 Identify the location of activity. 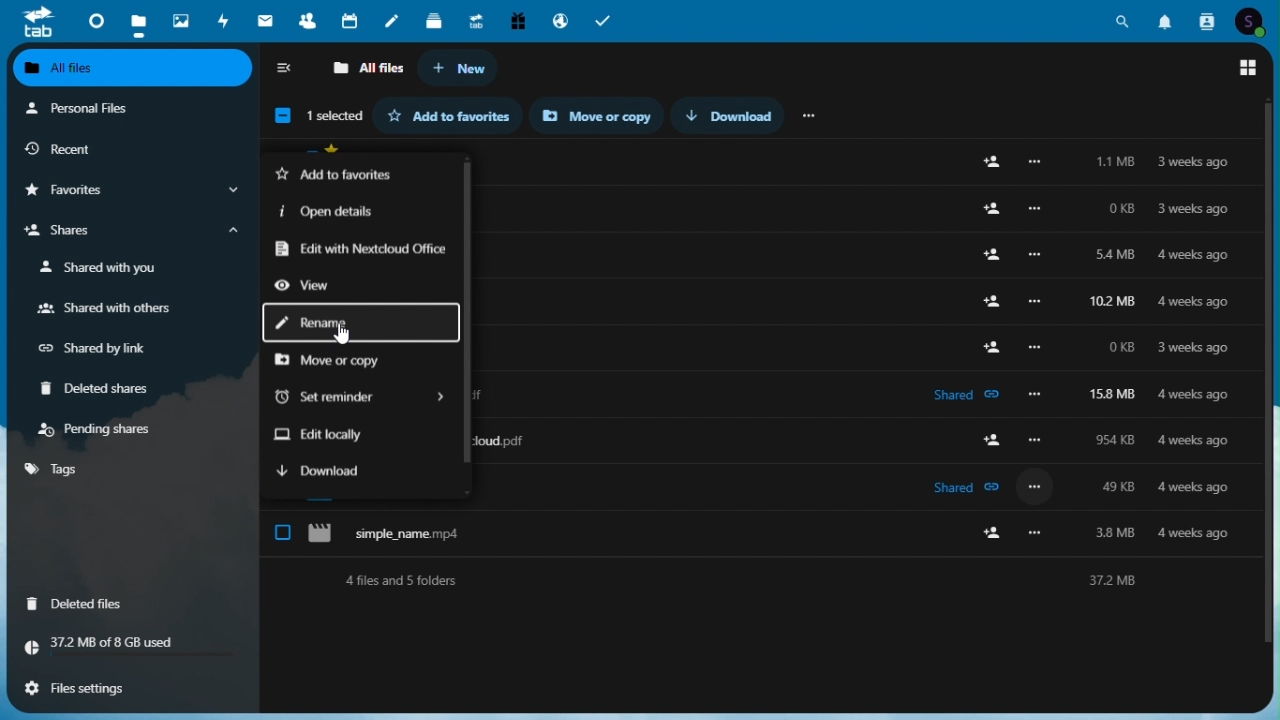
(227, 20).